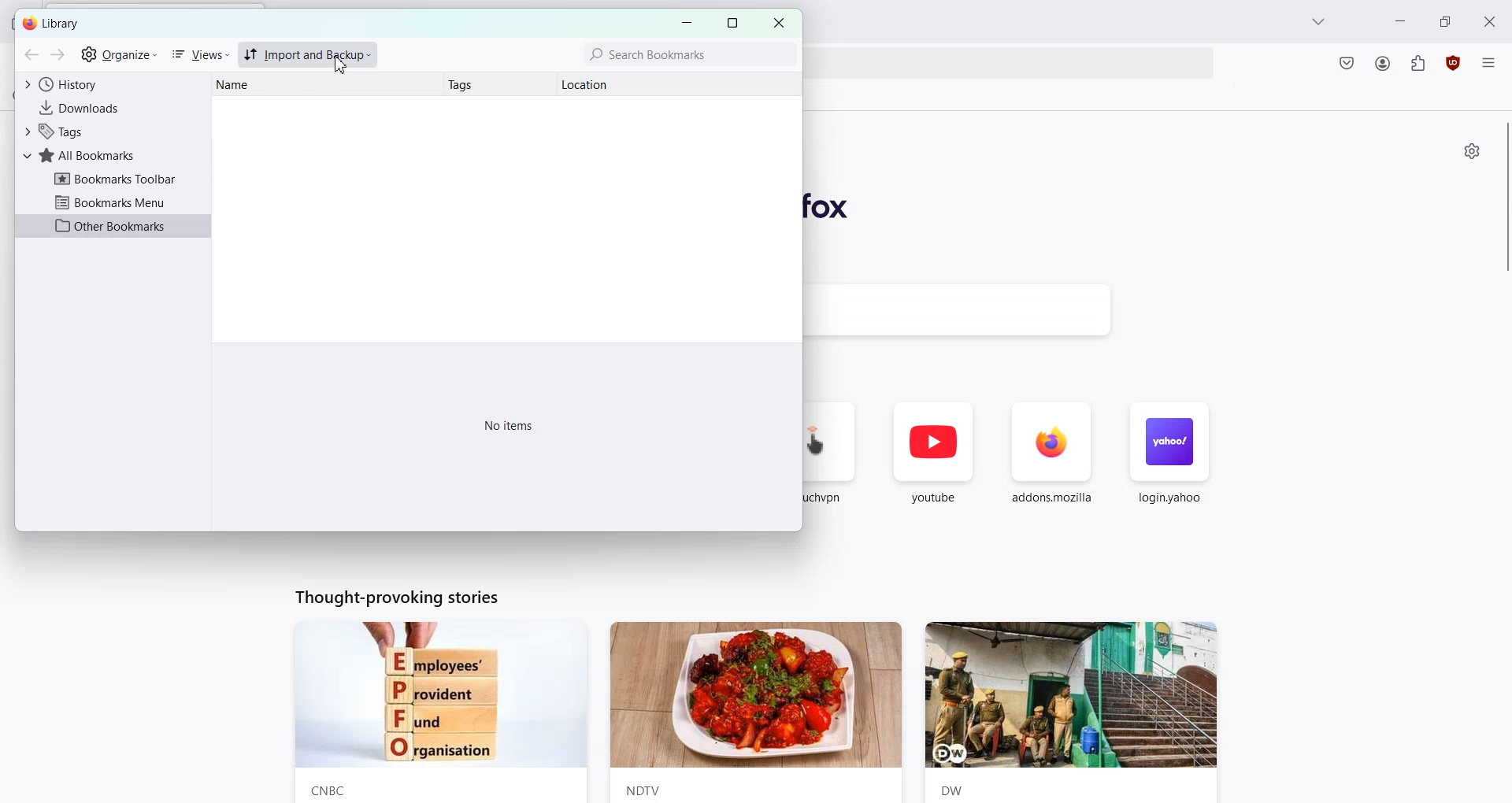 This screenshot has height=803, width=1512. I want to click on Text, so click(394, 596).